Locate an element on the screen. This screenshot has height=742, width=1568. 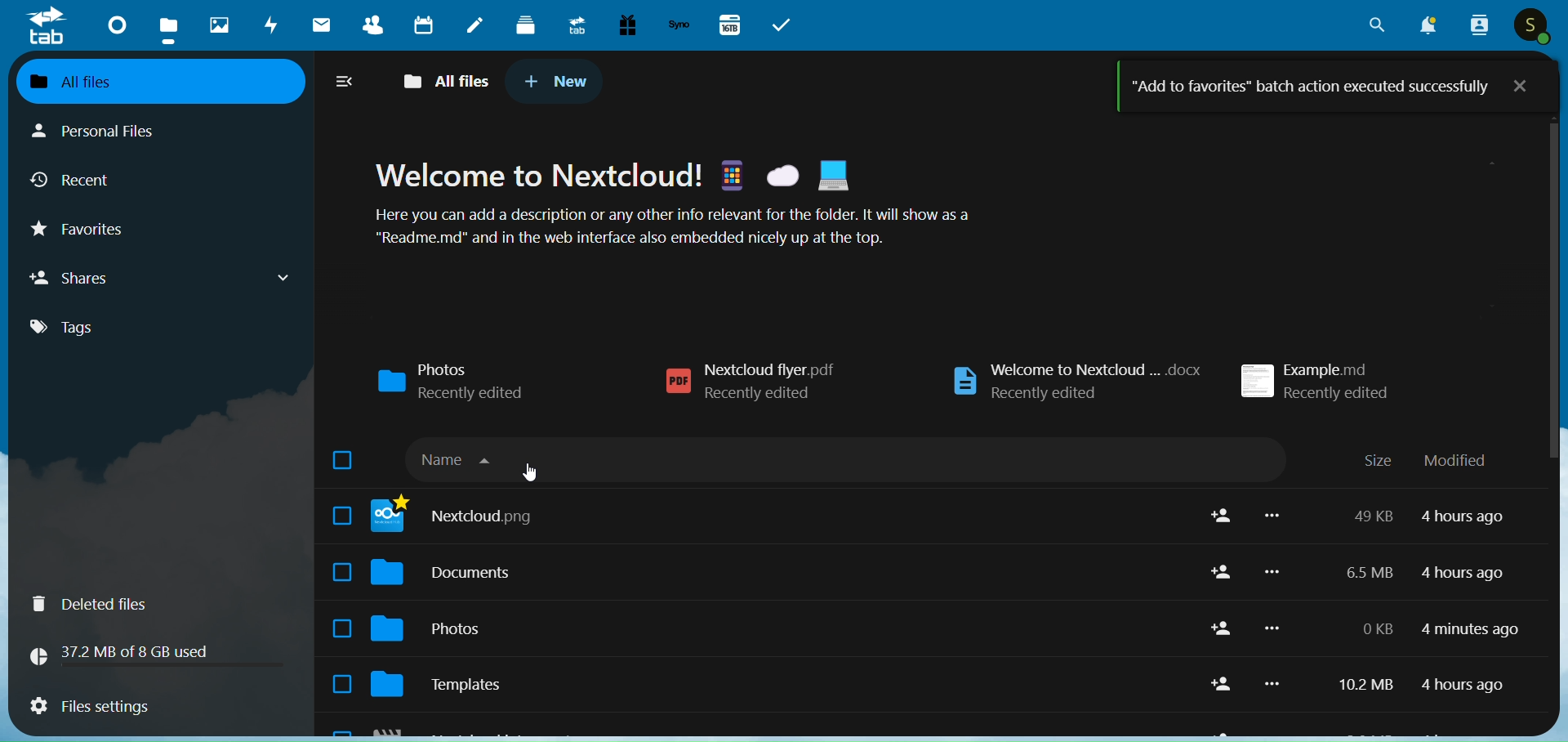
Here you can add a description or any other info relevant for the folder. It will show as a "Readme.md" and in the web interface also embedded nicely up at the top. is located at coordinates (671, 226).